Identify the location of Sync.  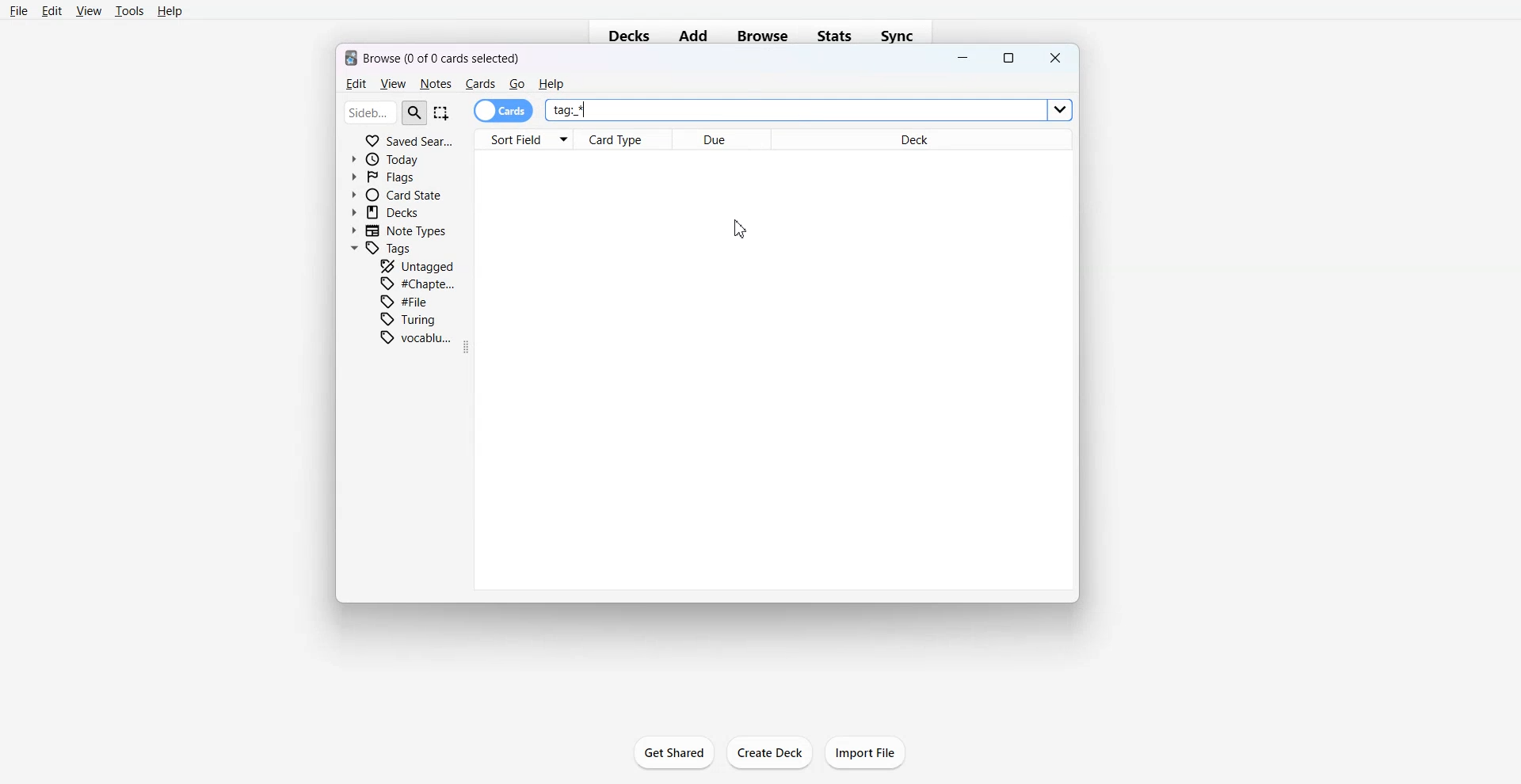
(902, 32).